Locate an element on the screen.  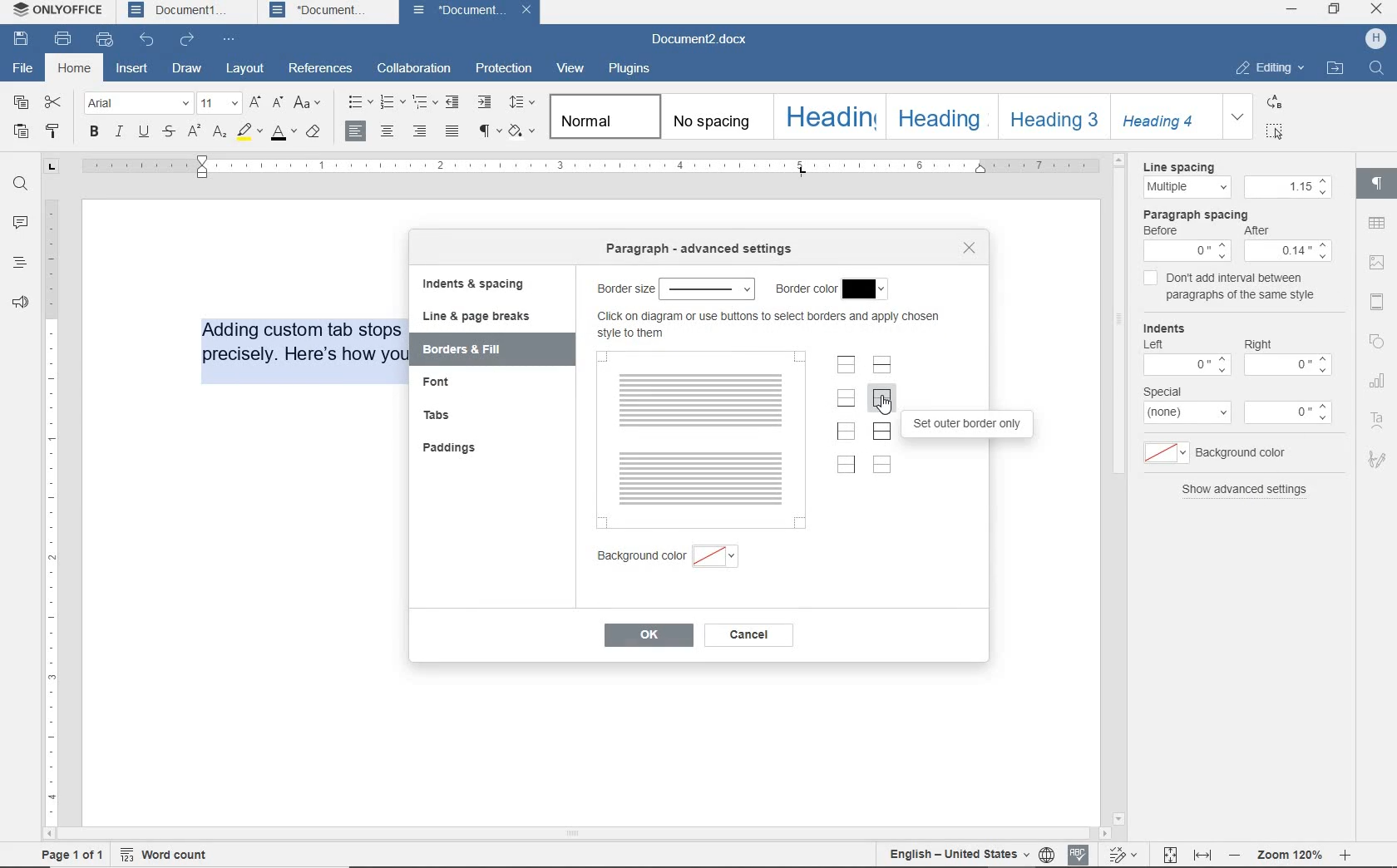
cursor is located at coordinates (1281, 136).